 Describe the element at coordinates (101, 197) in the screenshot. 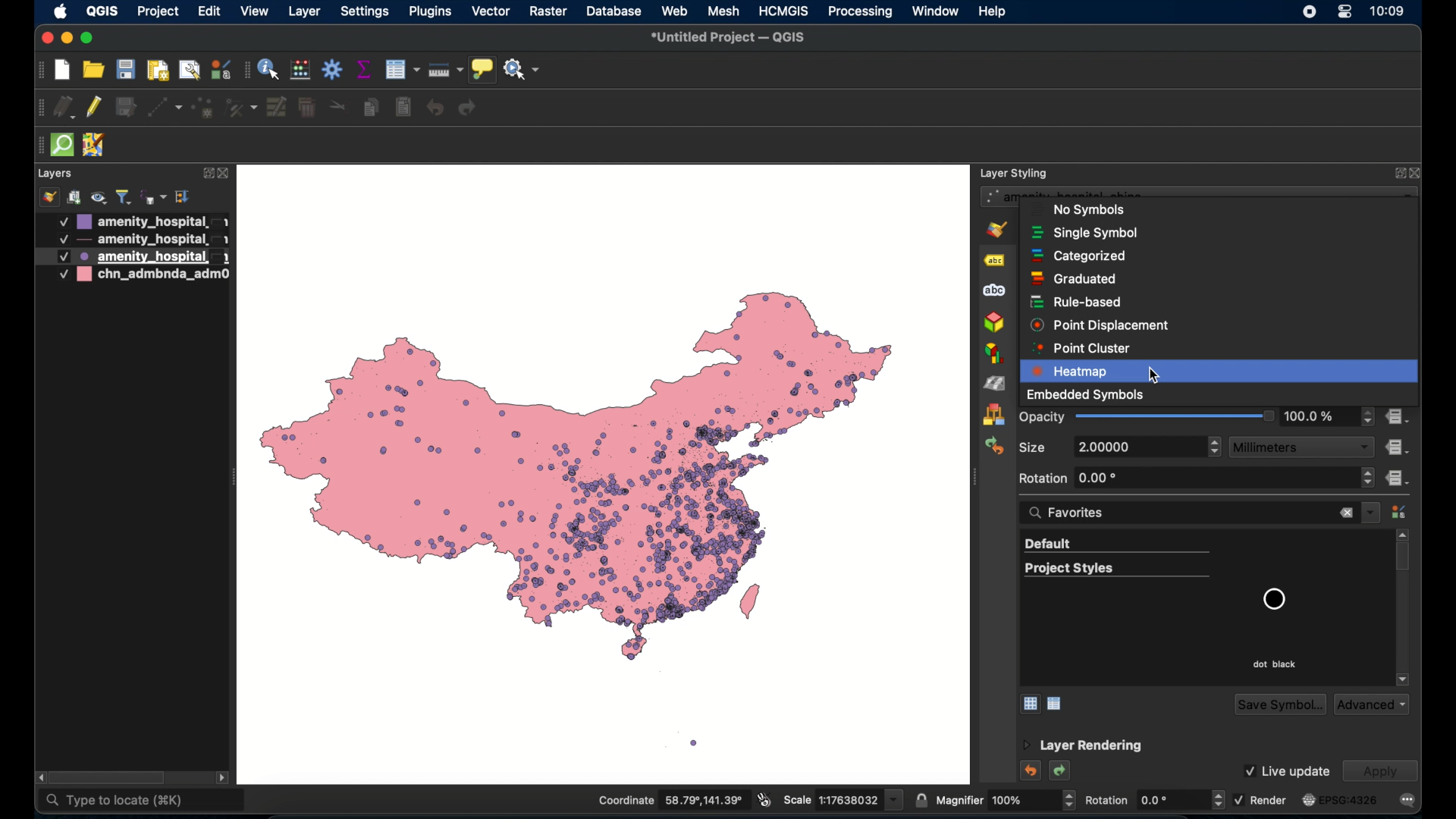

I see `manage map theme` at that location.